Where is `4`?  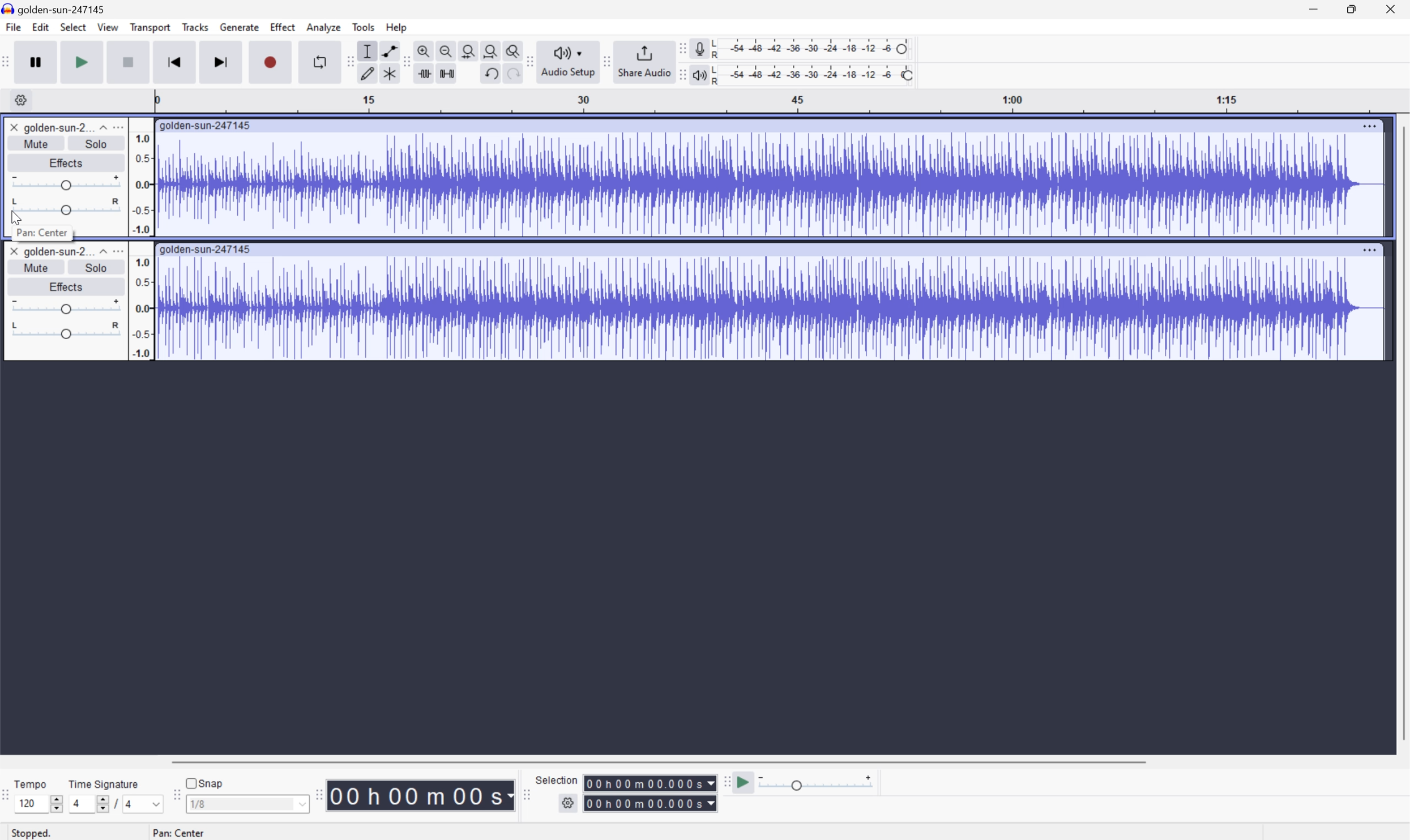 4 is located at coordinates (77, 802).